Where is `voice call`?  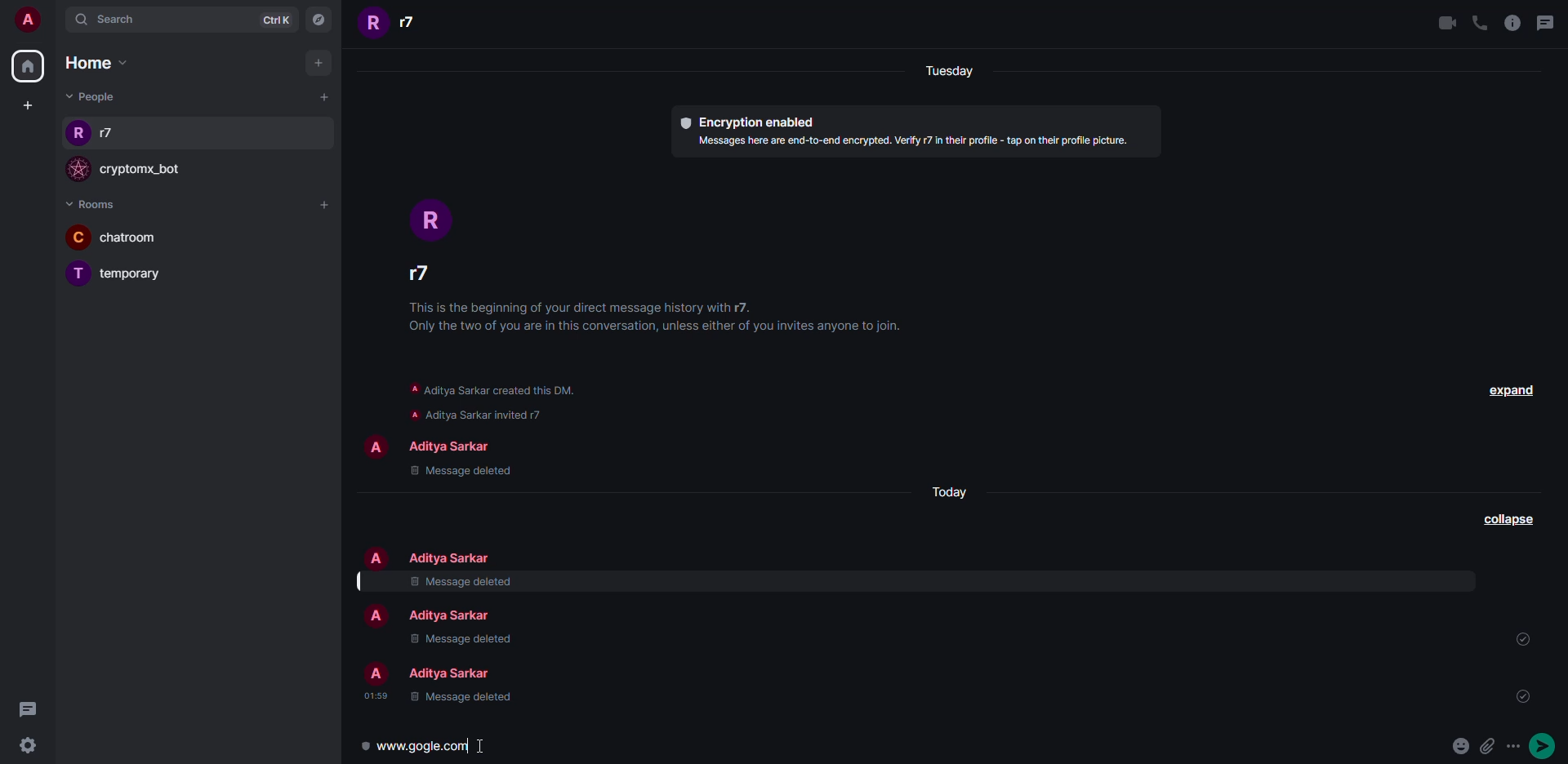
voice call is located at coordinates (1479, 23).